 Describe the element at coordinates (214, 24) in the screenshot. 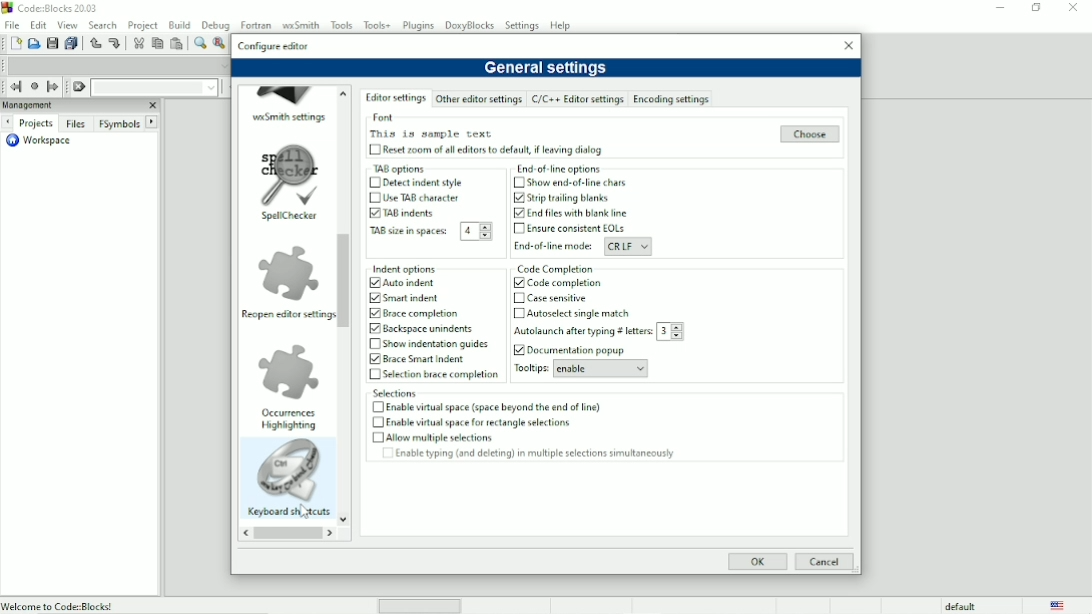

I see `Debug` at that location.